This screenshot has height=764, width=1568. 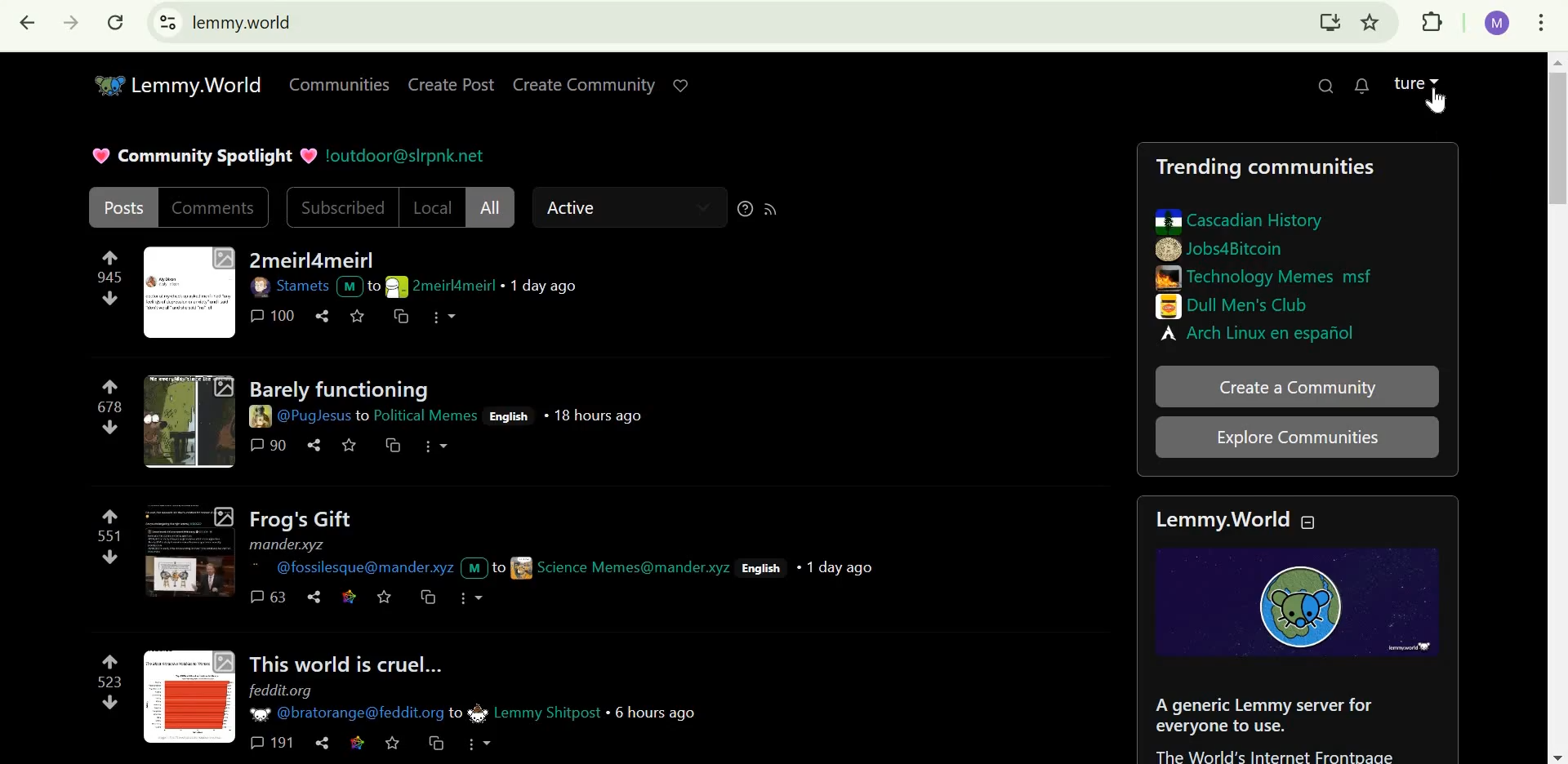 I want to click on Lemmy.World, so click(x=180, y=83).